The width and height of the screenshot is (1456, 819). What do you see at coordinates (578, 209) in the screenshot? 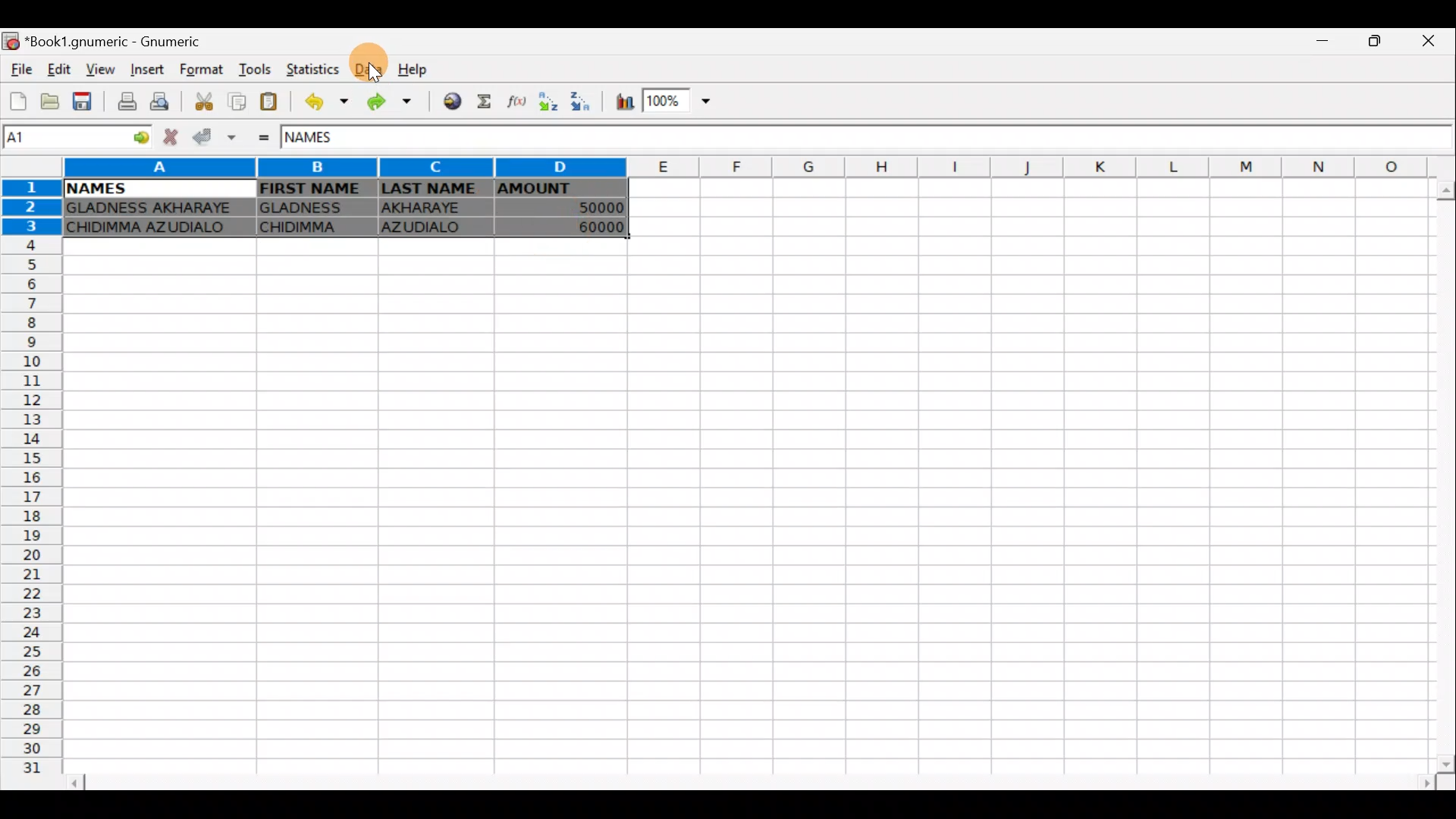
I see `50000` at bounding box center [578, 209].